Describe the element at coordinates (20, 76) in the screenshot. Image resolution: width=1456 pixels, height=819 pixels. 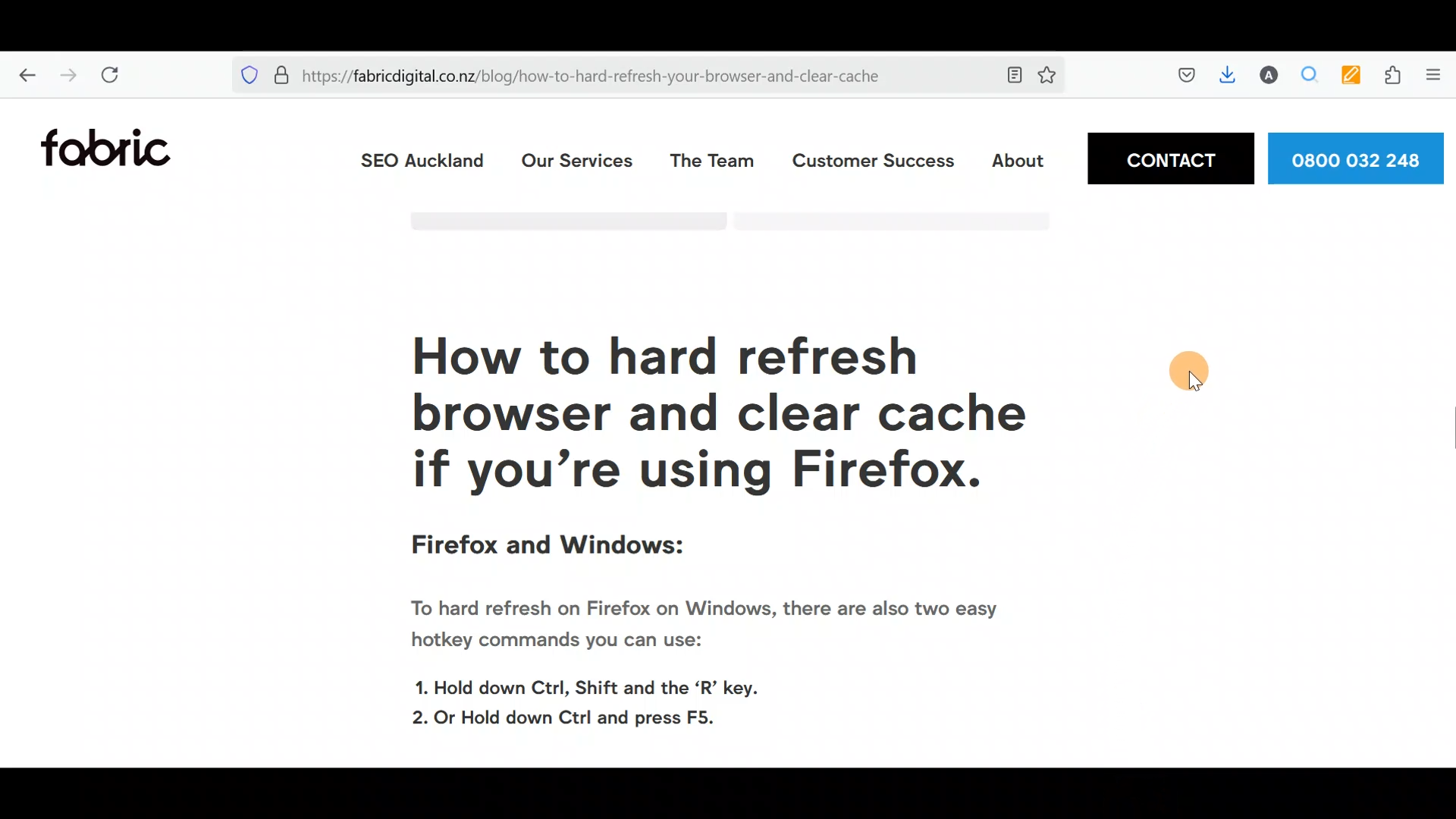
I see `Go back one page` at that location.